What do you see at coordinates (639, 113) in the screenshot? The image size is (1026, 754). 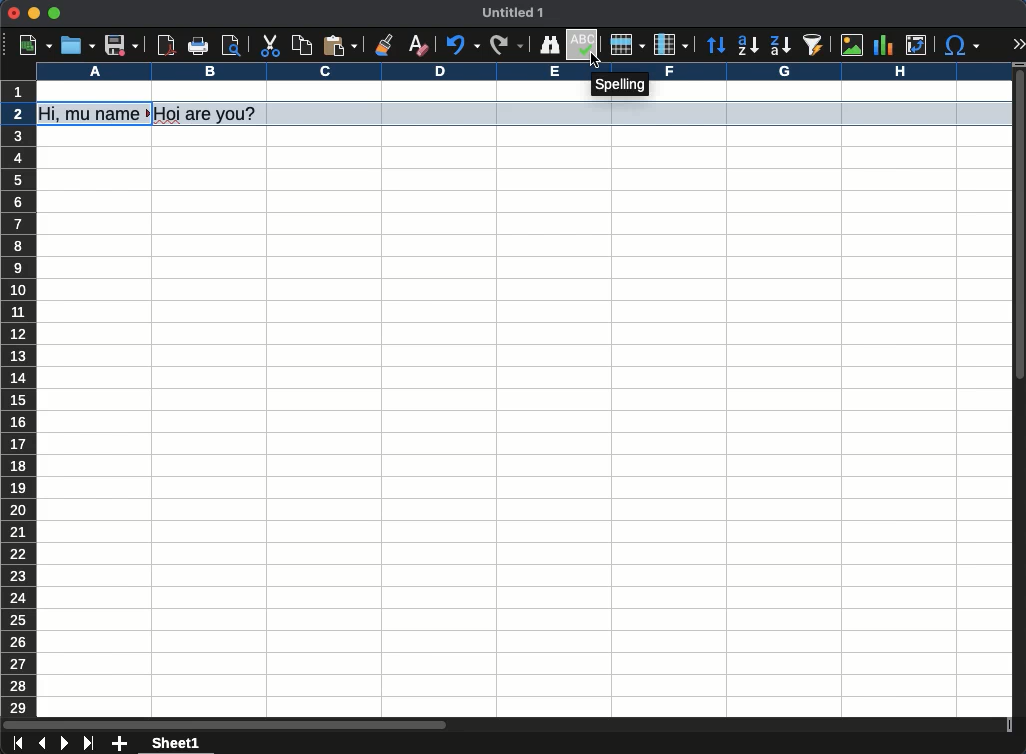 I see `row selected` at bounding box center [639, 113].